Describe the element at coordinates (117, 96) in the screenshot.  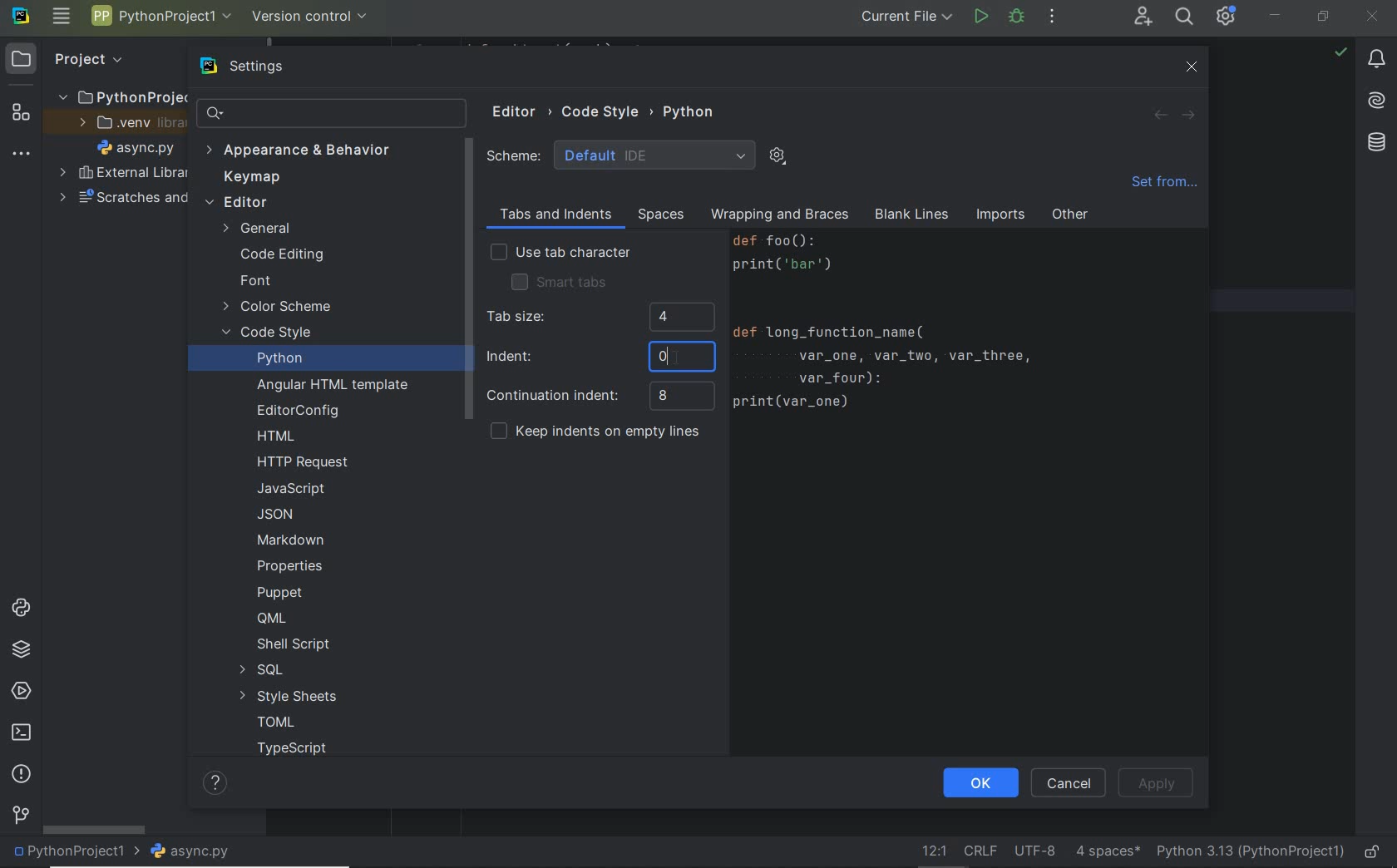
I see `Project folder` at that location.